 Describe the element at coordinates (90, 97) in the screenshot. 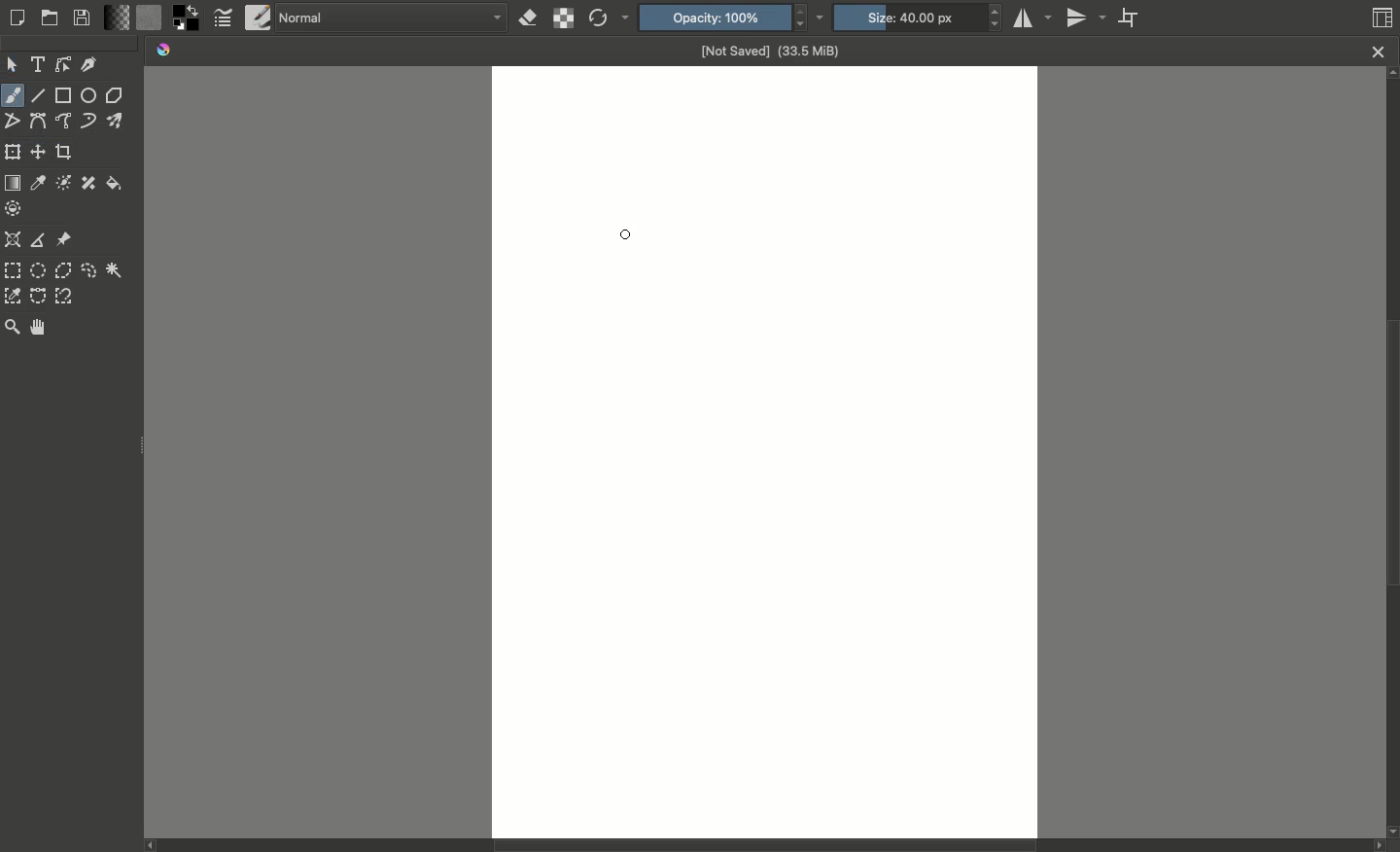

I see `Ellipse tool` at that location.